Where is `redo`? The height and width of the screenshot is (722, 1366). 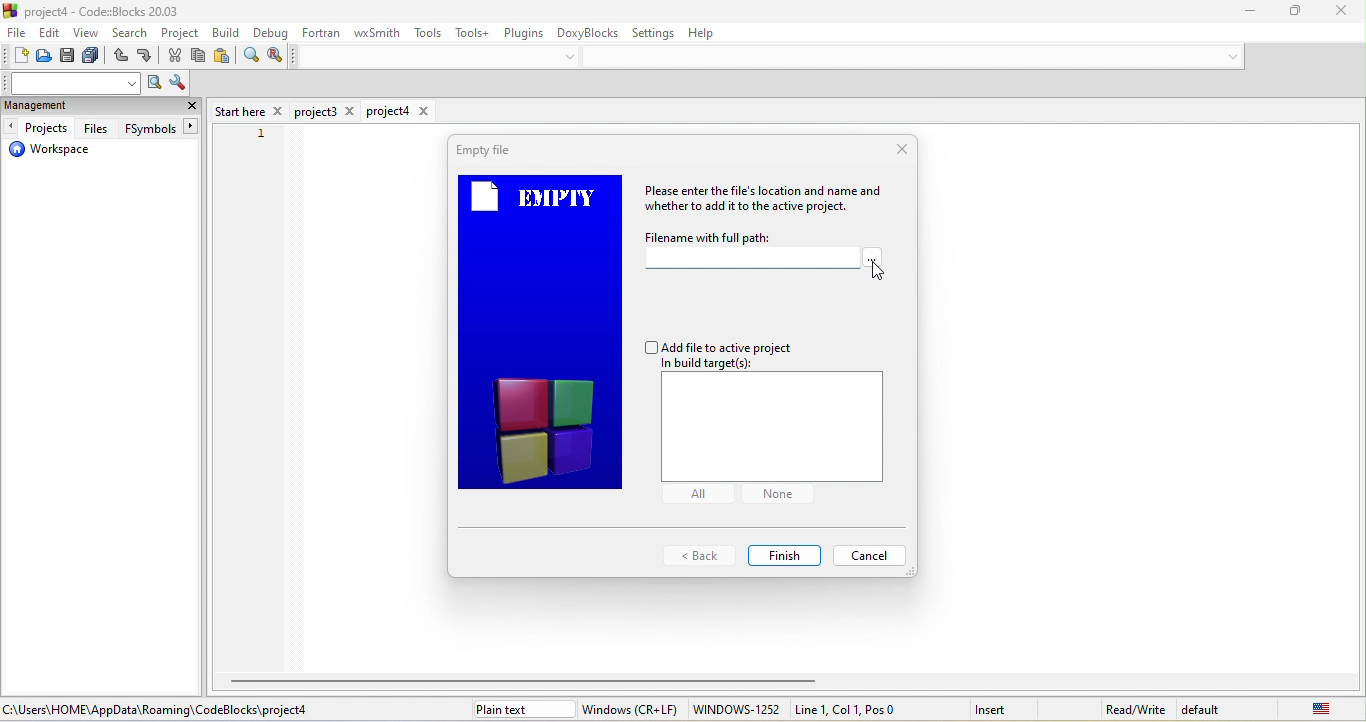
redo is located at coordinates (147, 58).